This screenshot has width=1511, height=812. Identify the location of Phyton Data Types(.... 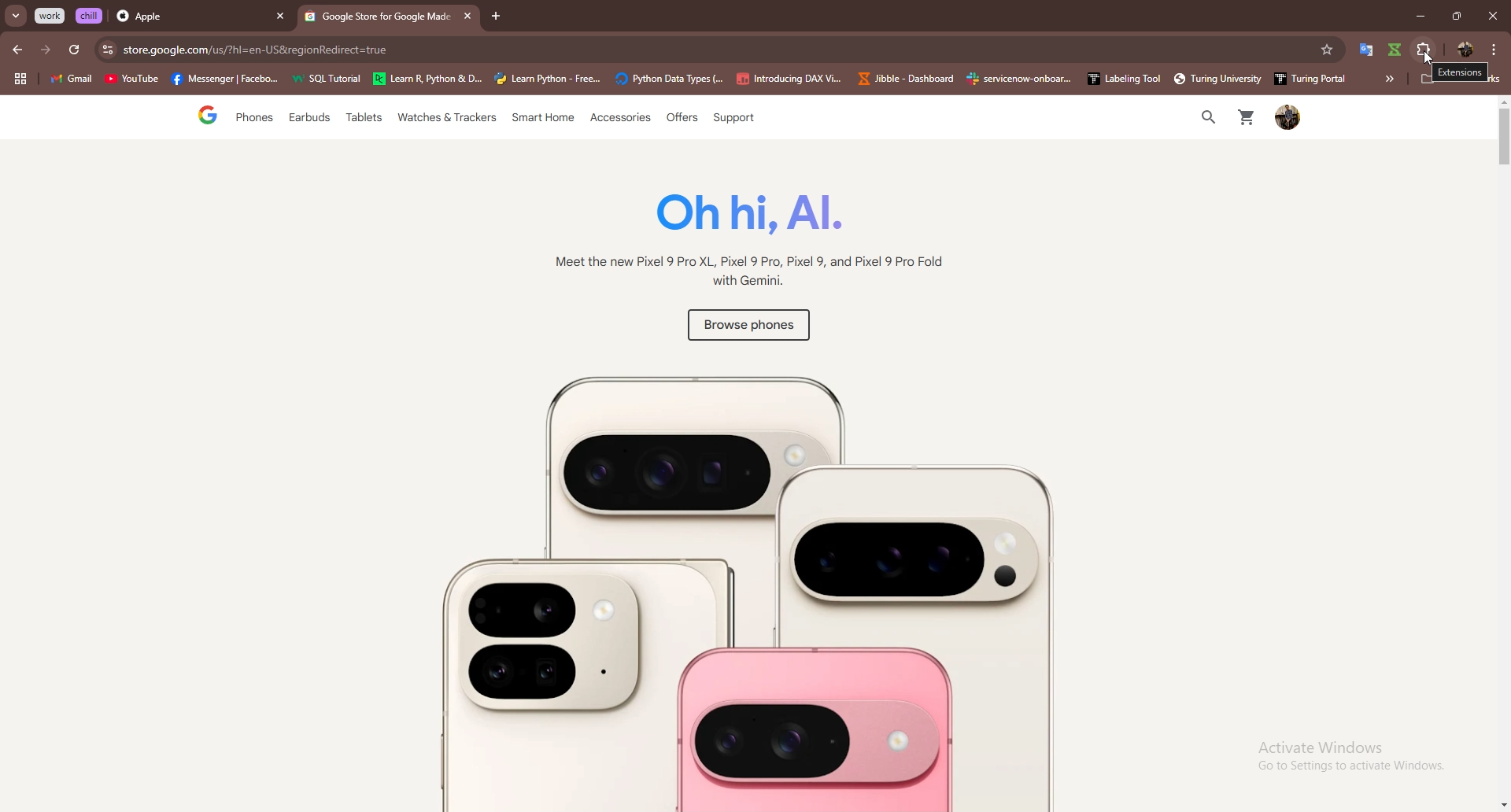
(669, 79).